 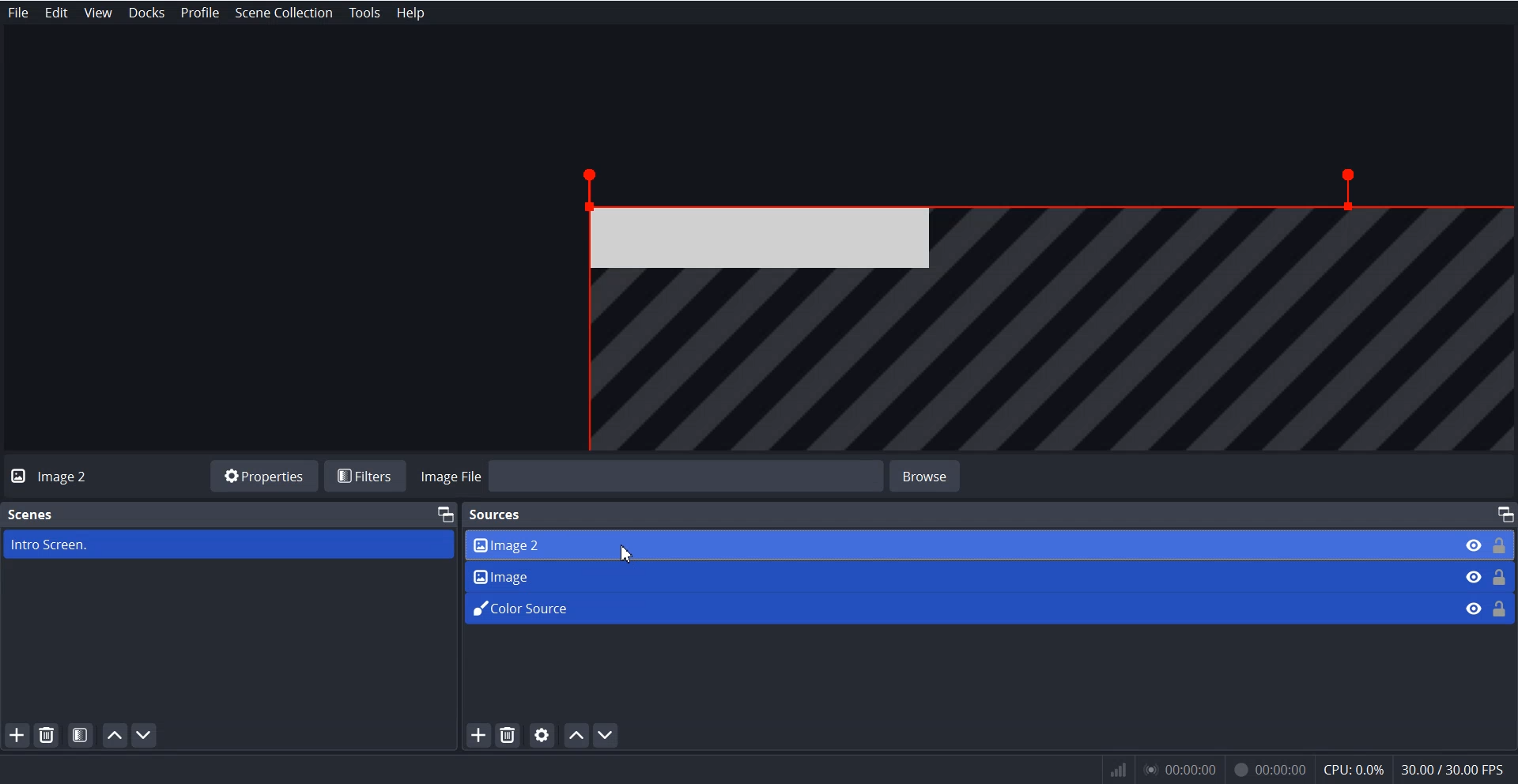 I want to click on Open scene Filters, so click(x=81, y=734).